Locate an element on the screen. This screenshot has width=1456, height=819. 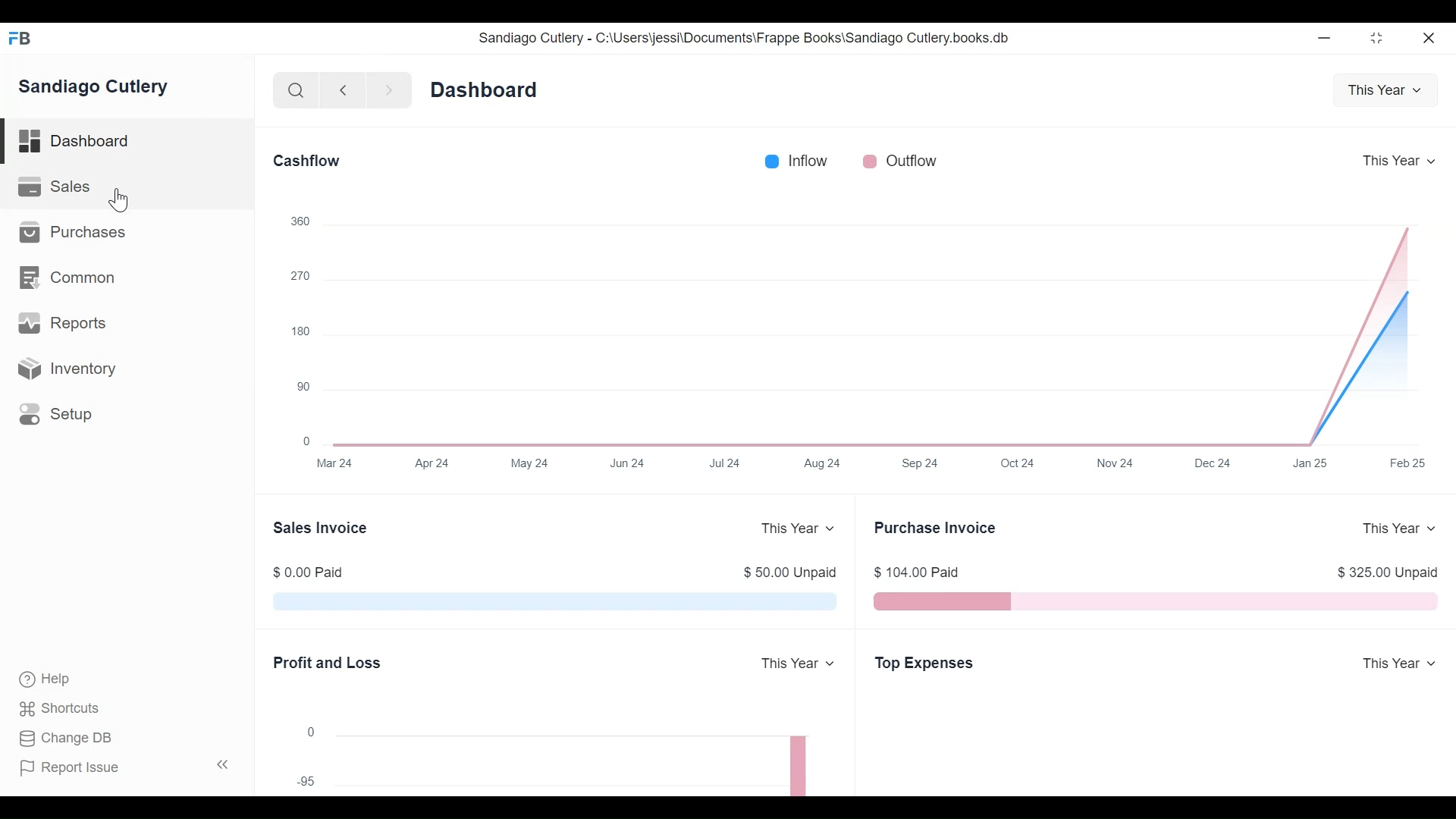
Frappe Books is located at coordinates (21, 38).